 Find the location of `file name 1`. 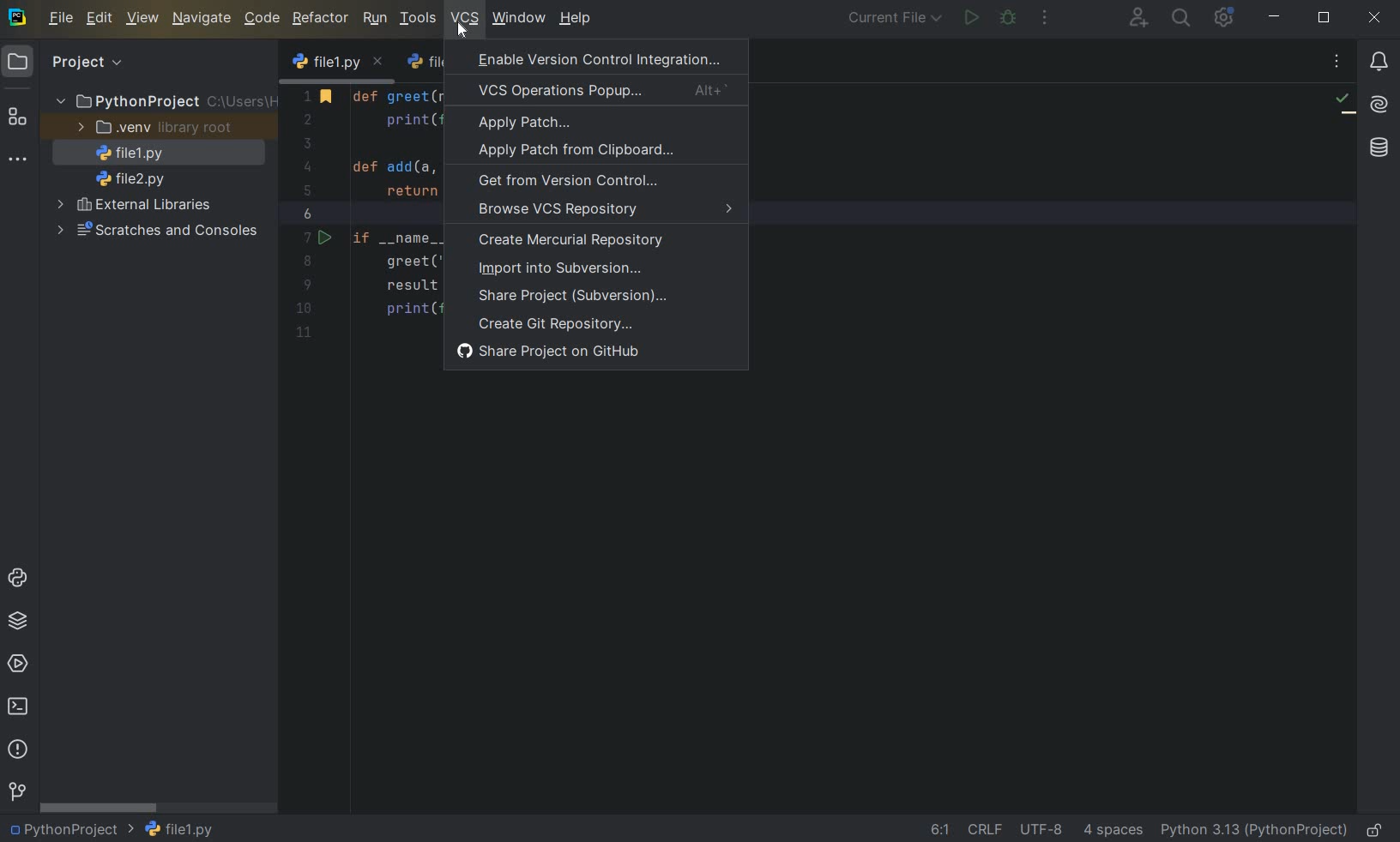

file name 1 is located at coordinates (125, 153).